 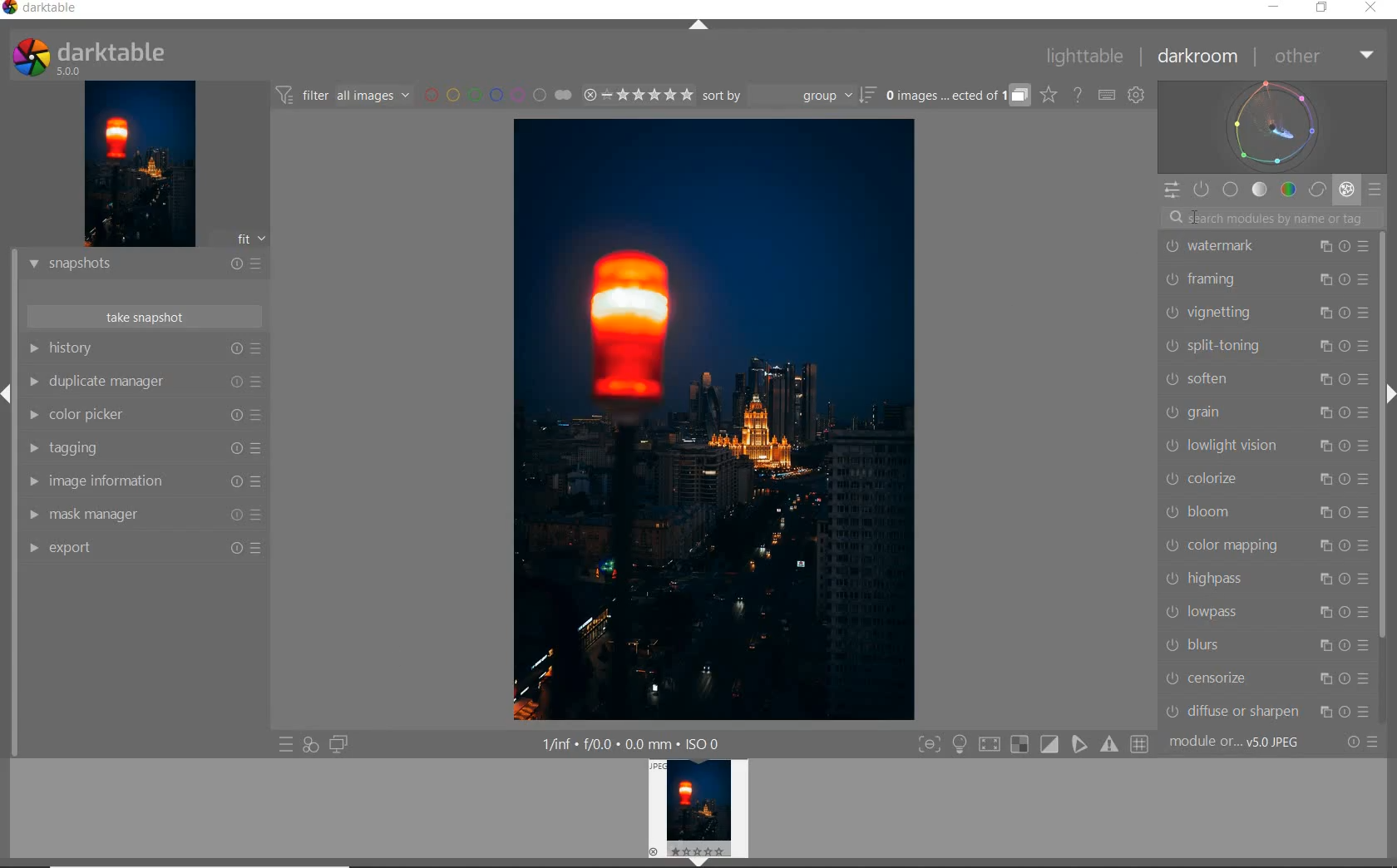 What do you see at coordinates (152, 57) in the screenshot?
I see `darktable 5.0.0` at bounding box center [152, 57].